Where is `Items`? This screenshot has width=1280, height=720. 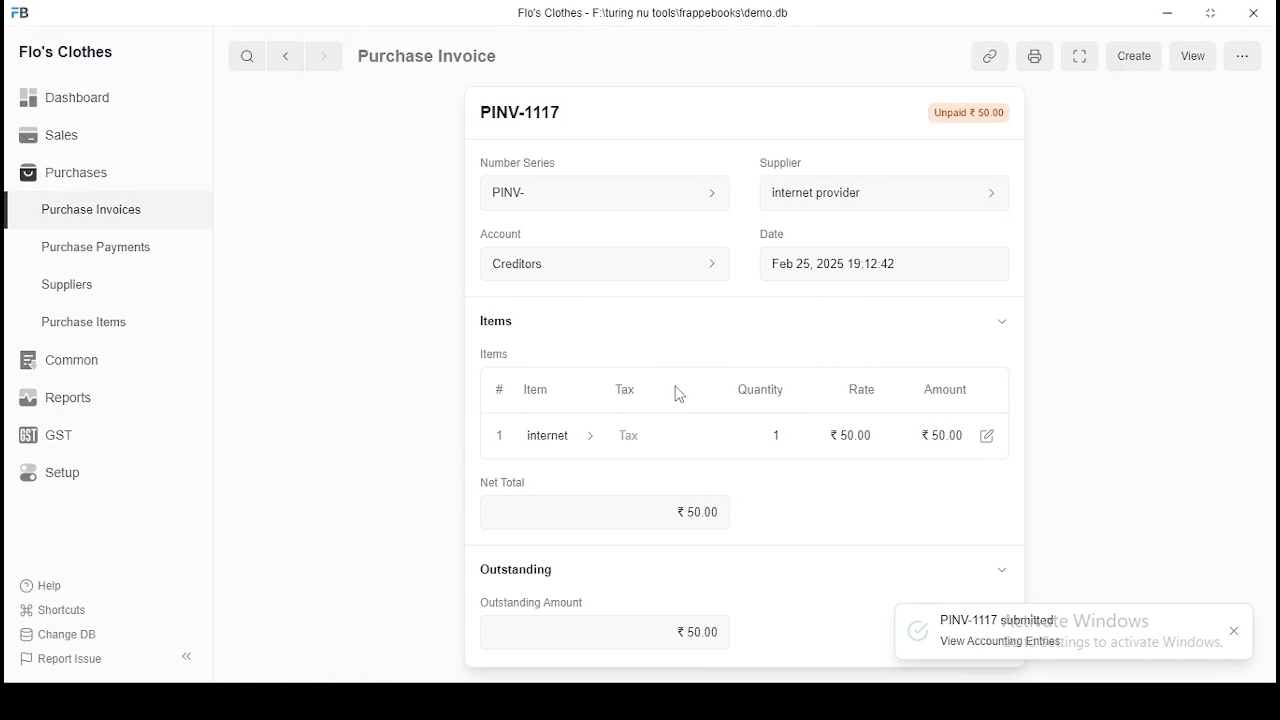 Items is located at coordinates (497, 319).